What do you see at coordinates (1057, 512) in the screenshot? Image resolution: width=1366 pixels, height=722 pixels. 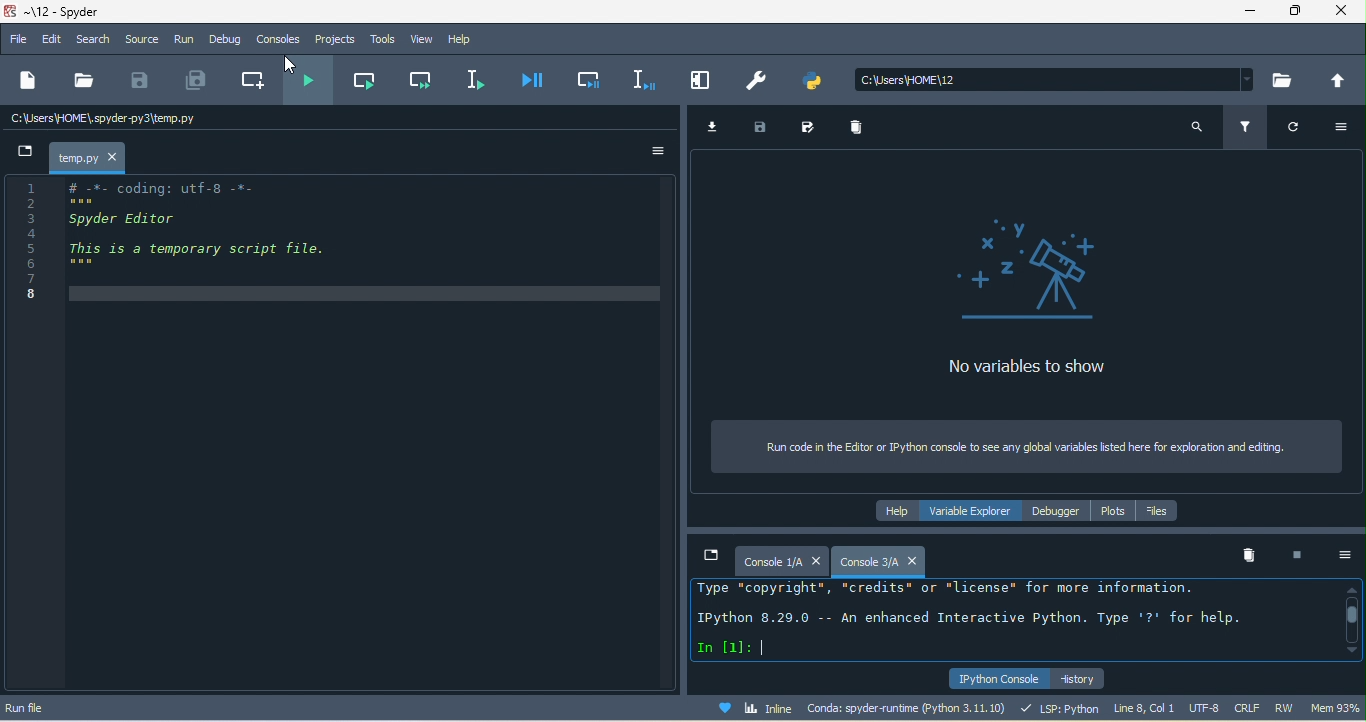 I see `debugger` at bounding box center [1057, 512].